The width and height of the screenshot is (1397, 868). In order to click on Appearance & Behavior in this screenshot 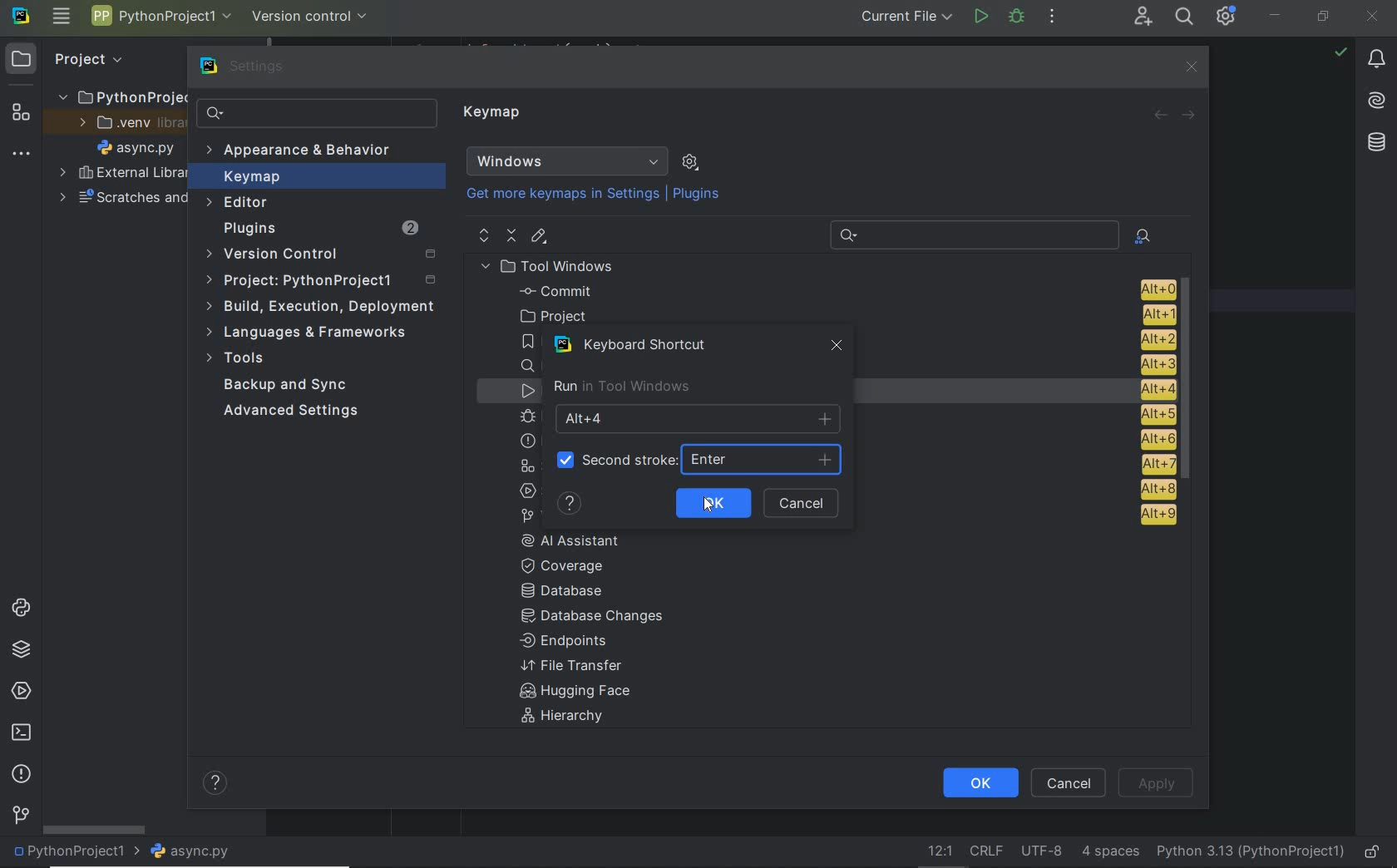, I will do `click(301, 151)`.